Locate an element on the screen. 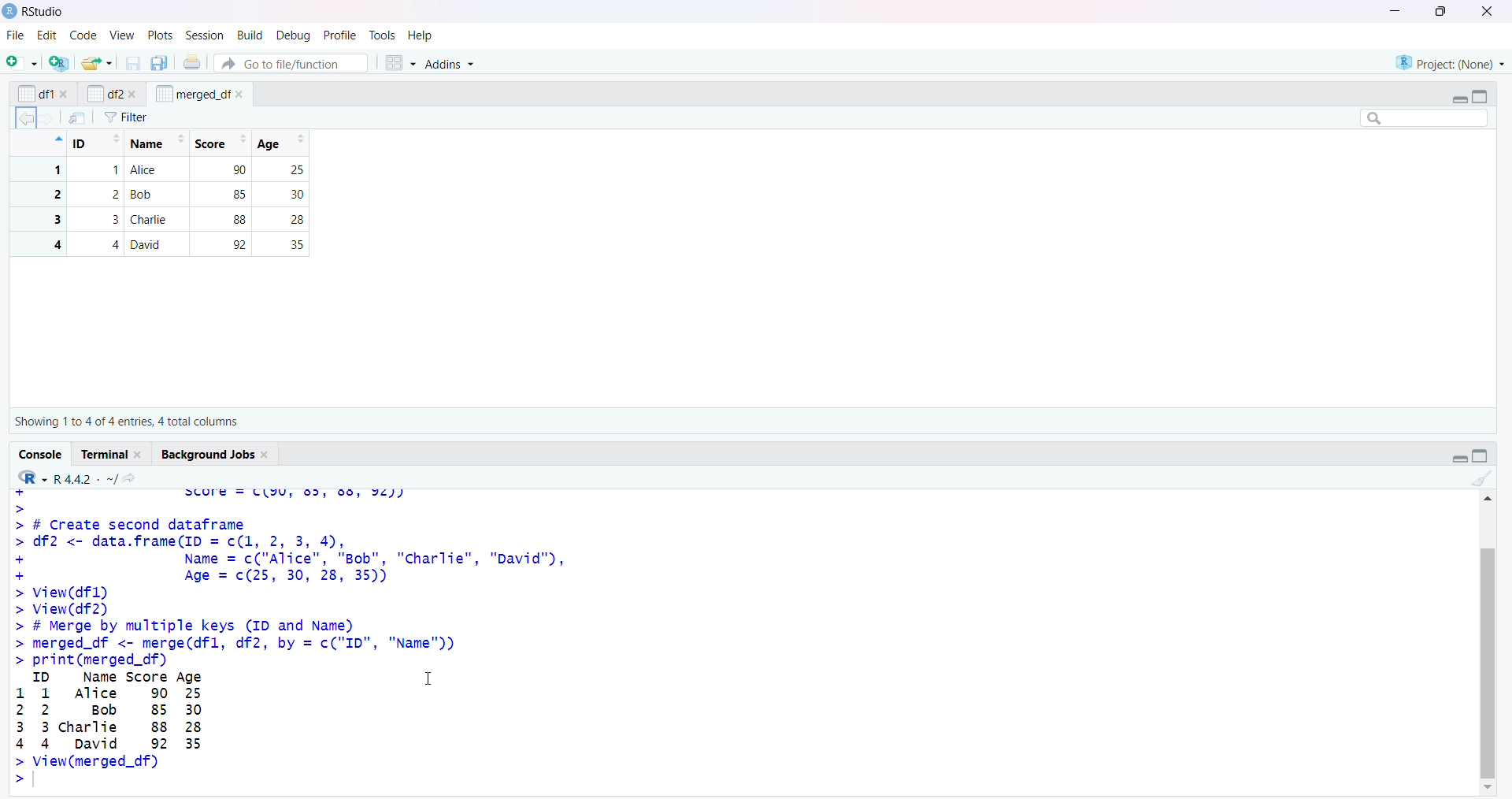 The width and height of the screenshot is (1512, 799). close is located at coordinates (267, 455).